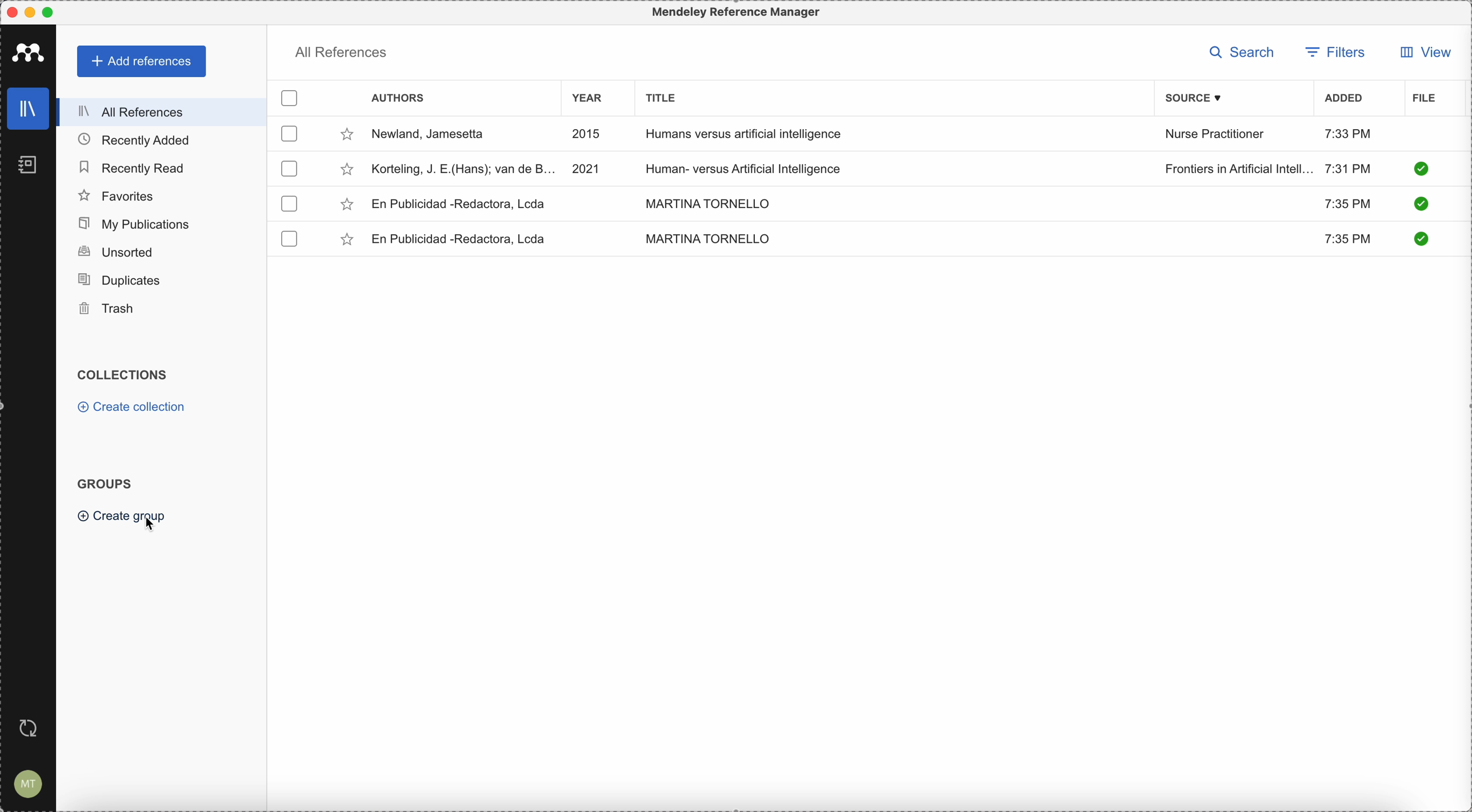  What do you see at coordinates (289, 239) in the screenshot?
I see `checkbox` at bounding box center [289, 239].